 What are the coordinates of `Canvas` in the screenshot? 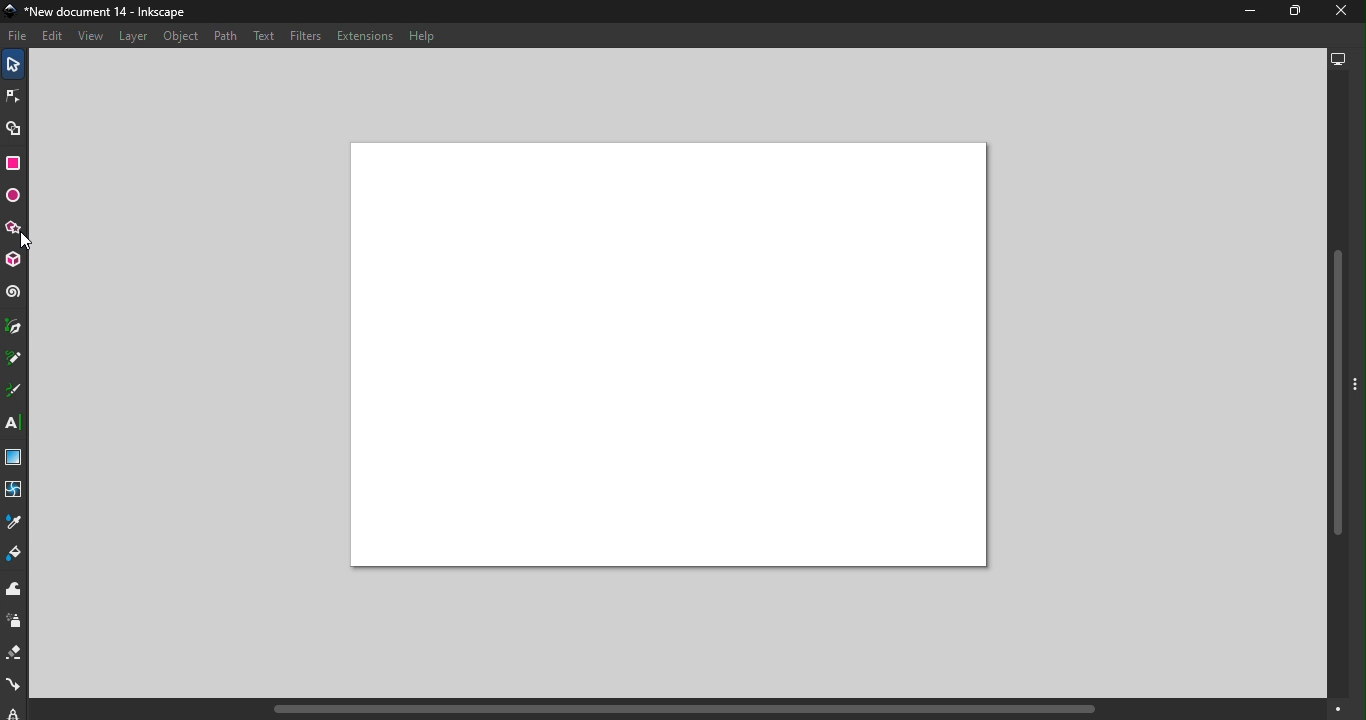 It's located at (667, 360).